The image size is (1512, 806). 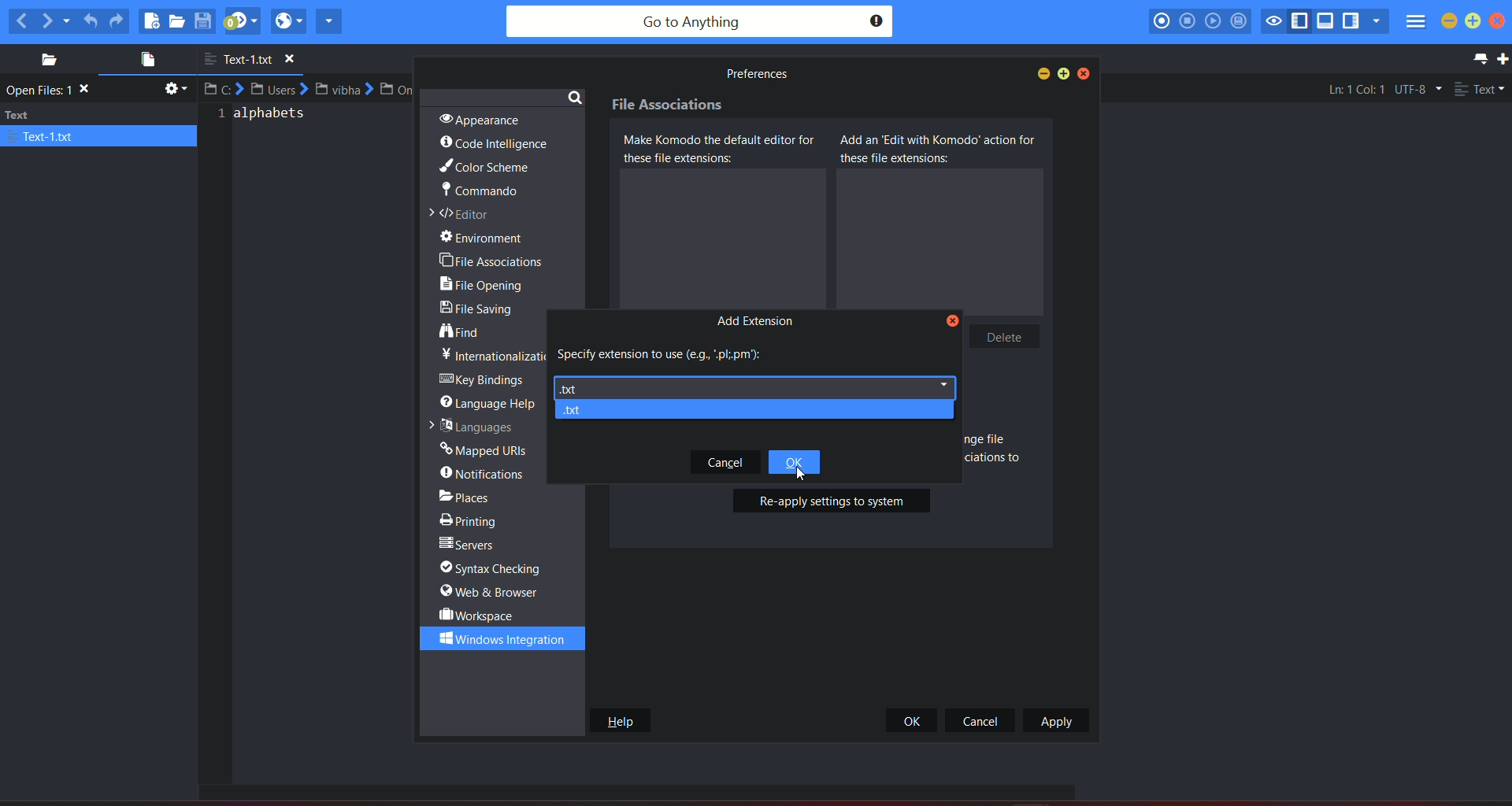 I want to click on Make komodo the default editor for these file extensions, so click(x=724, y=150).